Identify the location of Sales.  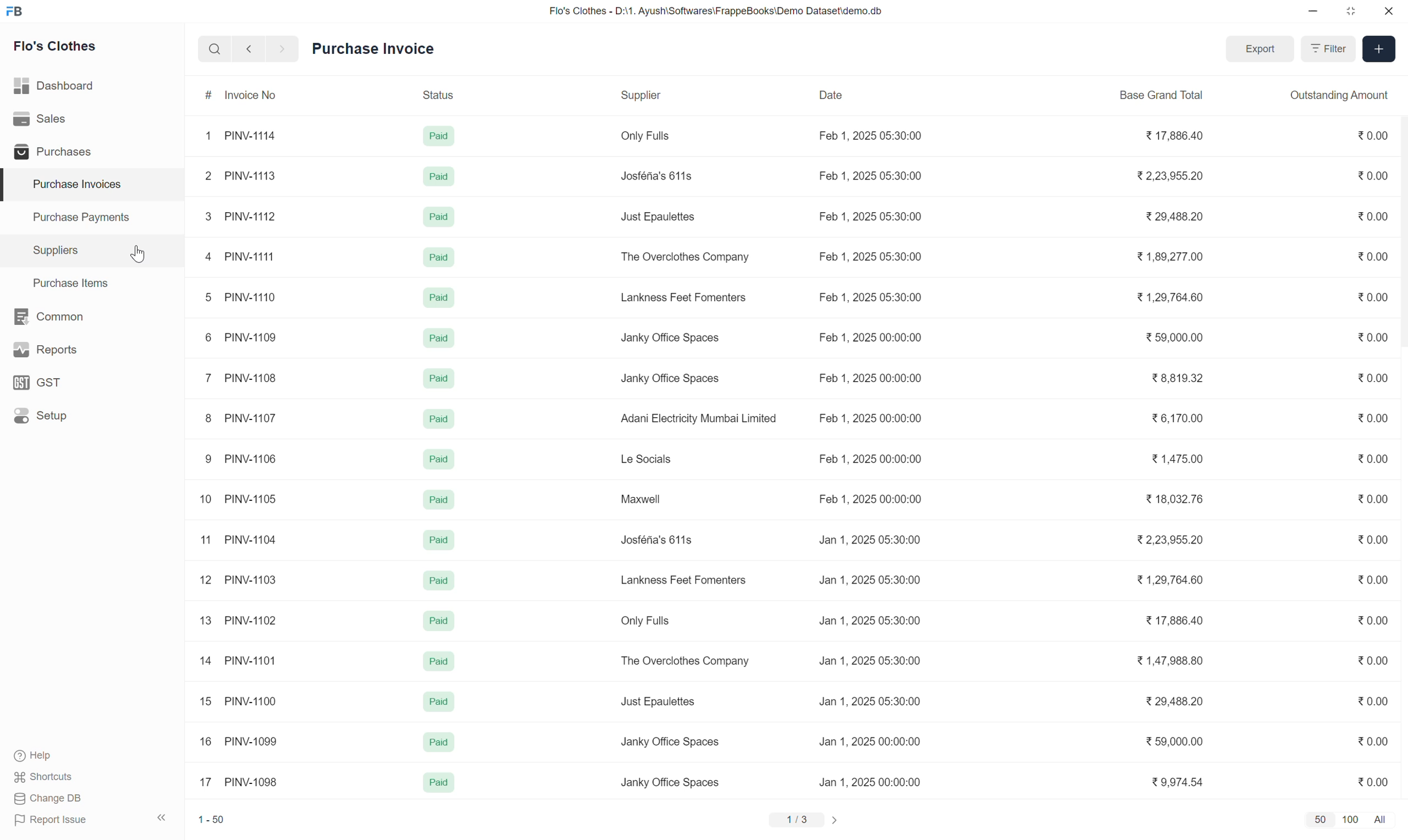
(42, 118).